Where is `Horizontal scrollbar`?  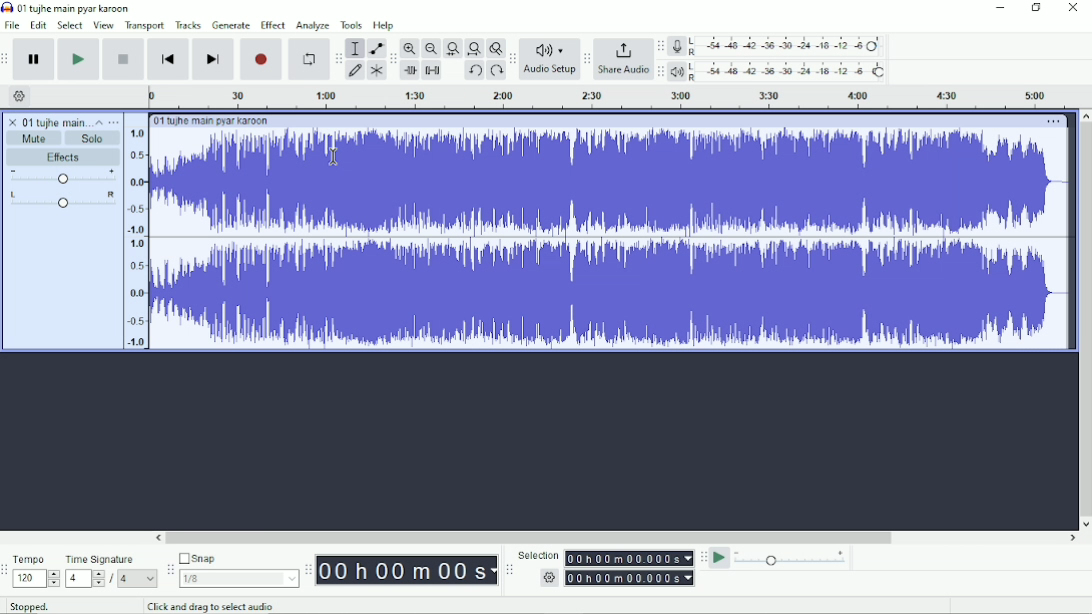
Horizontal scrollbar is located at coordinates (534, 537).